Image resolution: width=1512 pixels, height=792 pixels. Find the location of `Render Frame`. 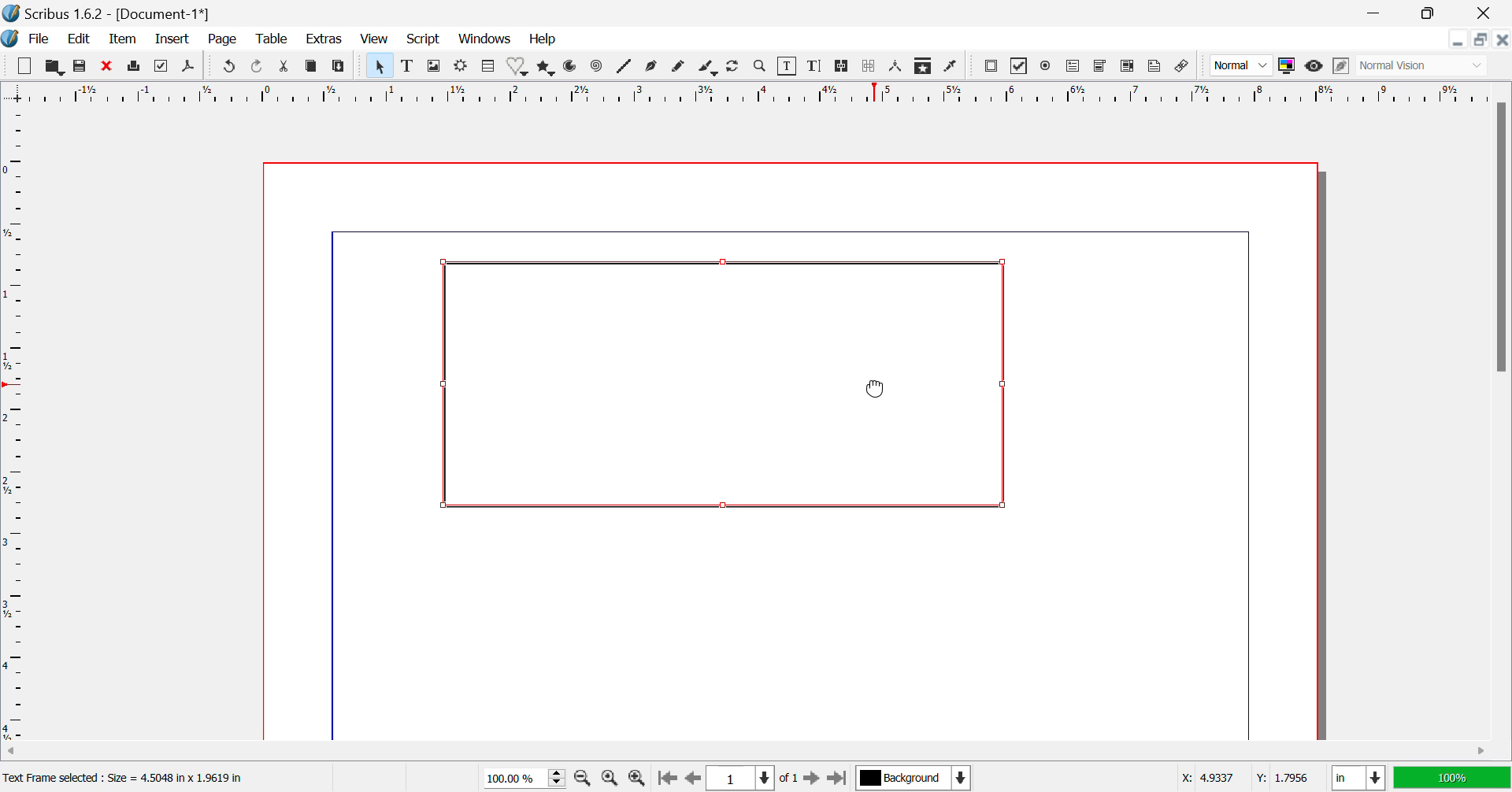

Render Frame is located at coordinates (463, 66).